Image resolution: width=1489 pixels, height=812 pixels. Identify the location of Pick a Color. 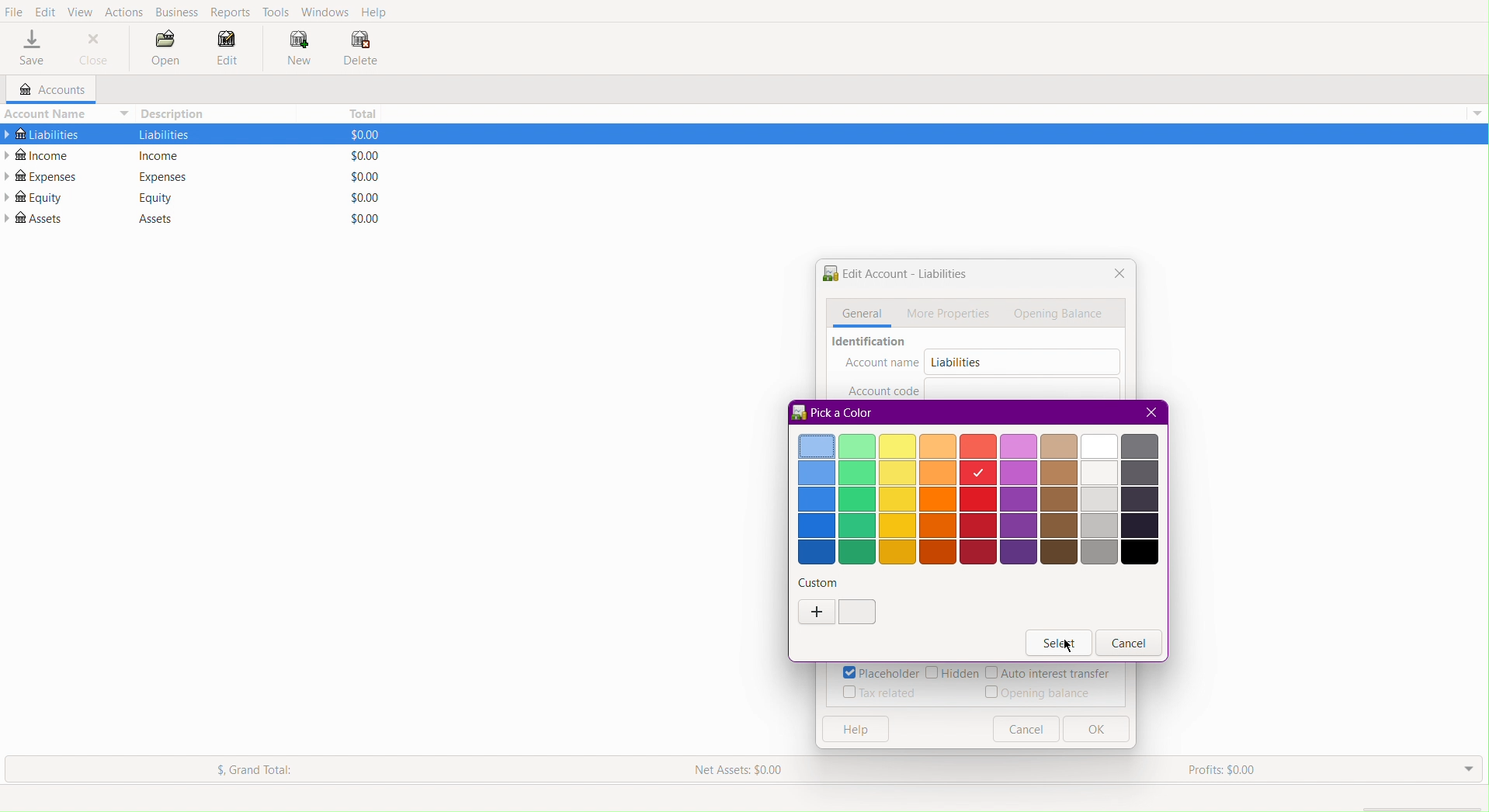
(835, 412).